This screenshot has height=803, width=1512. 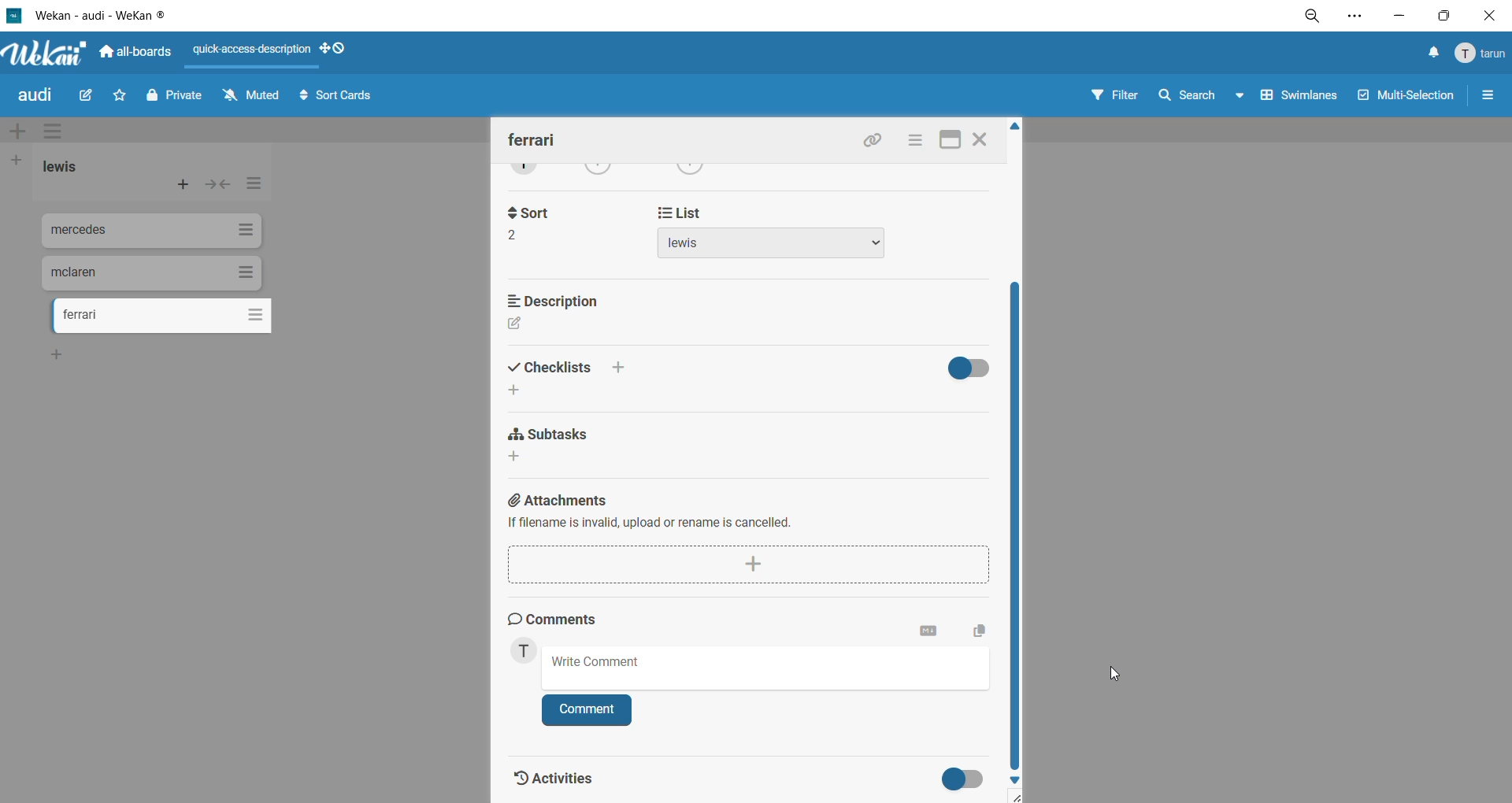 What do you see at coordinates (135, 53) in the screenshot?
I see `all boards` at bounding box center [135, 53].